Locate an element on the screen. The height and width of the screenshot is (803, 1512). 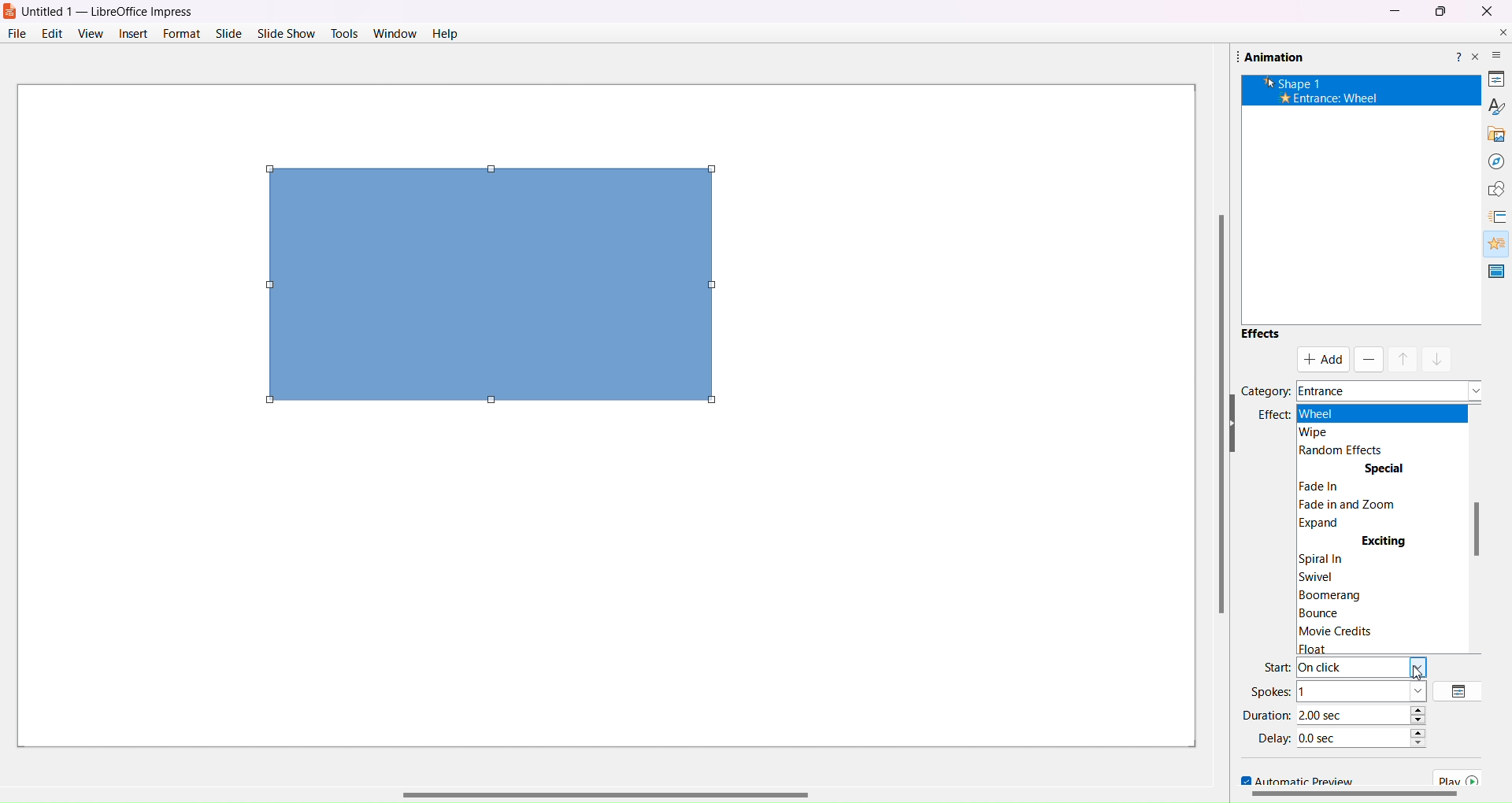
Play is located at coordinates (1462, 778).